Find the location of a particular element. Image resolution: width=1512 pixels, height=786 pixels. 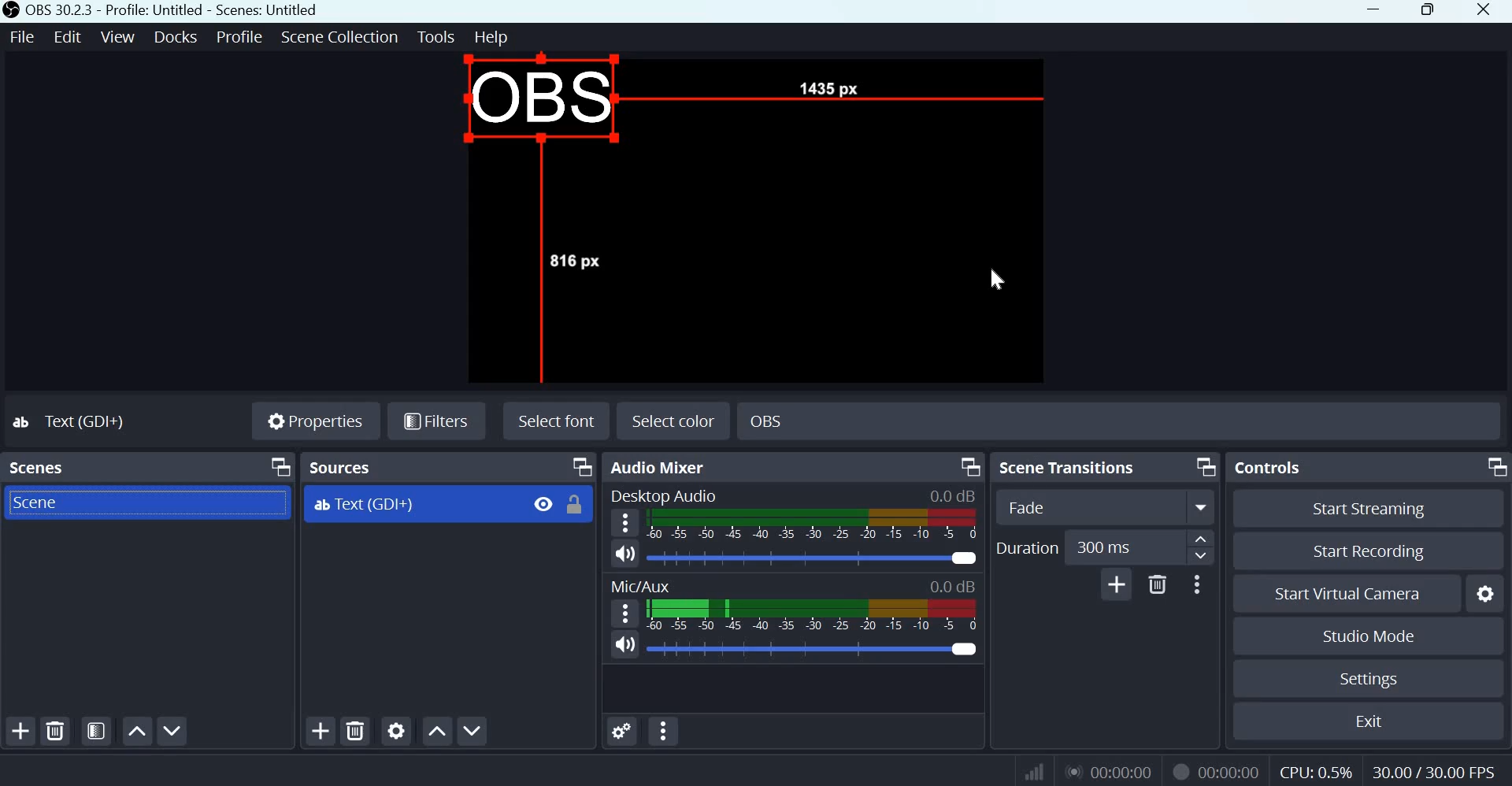

CPU: 0.5% is located at coordinates (1317, 769).